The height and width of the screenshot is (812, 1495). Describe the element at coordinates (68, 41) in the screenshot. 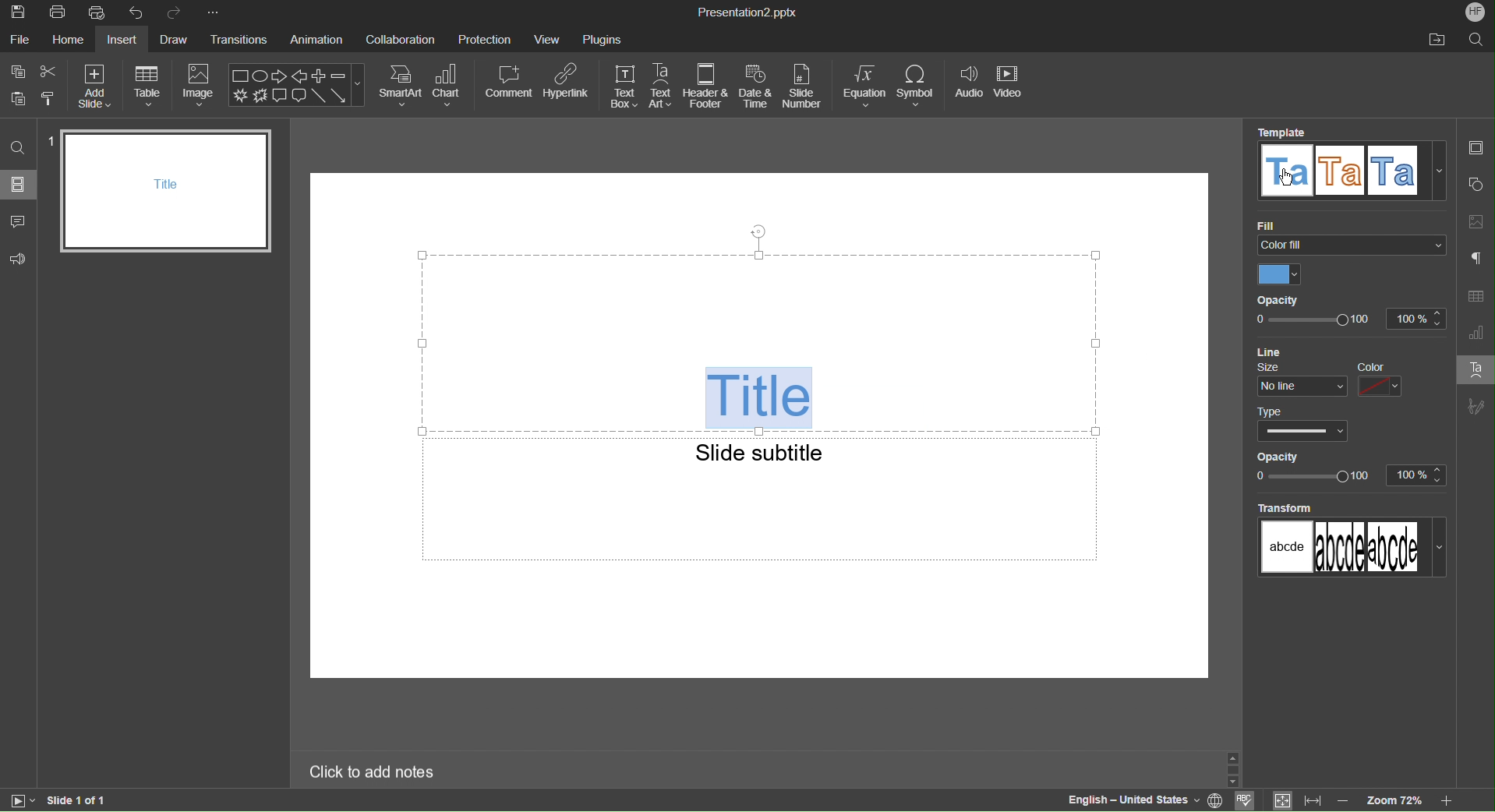

I see `Home` at that location.